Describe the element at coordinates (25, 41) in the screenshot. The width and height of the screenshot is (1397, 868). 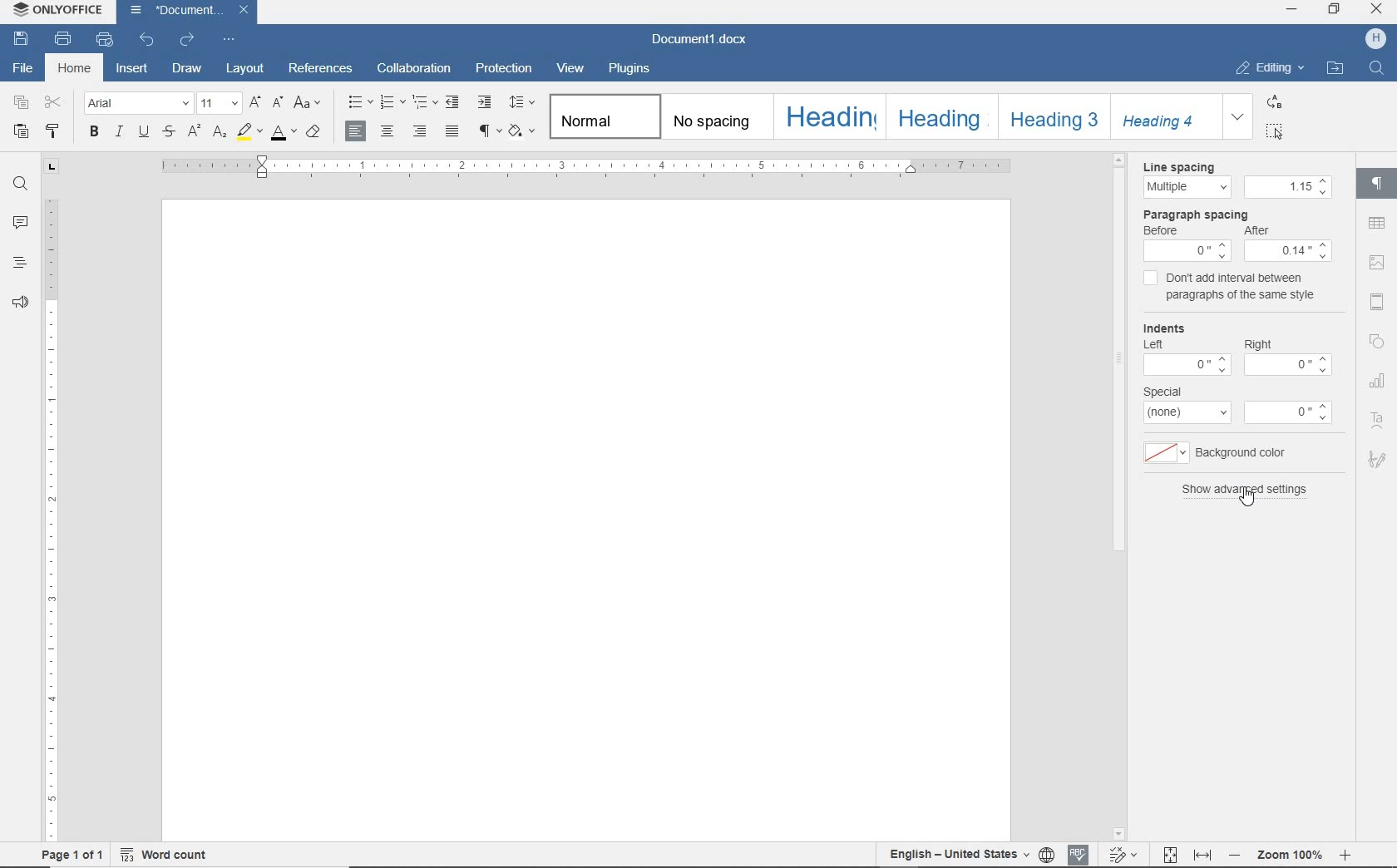
I see `save` at that location.